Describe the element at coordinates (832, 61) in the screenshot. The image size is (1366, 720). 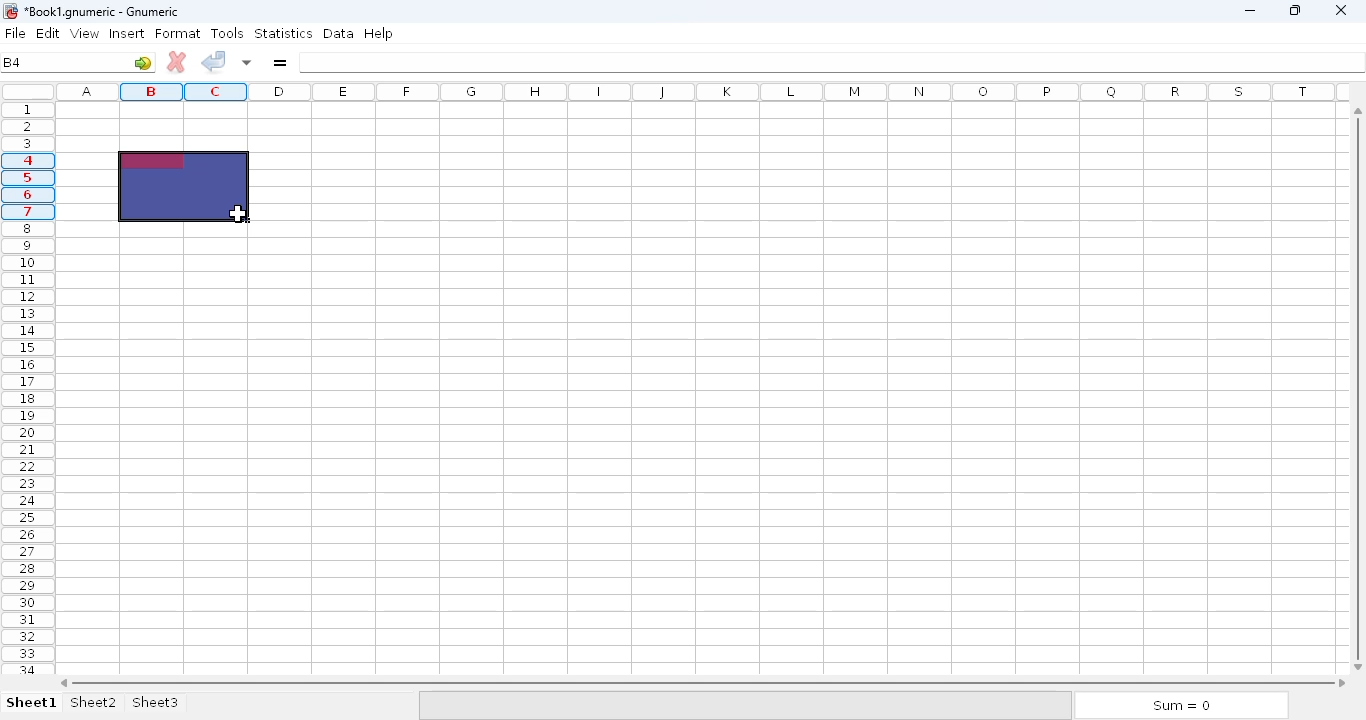
I see `formula bar` at that location.